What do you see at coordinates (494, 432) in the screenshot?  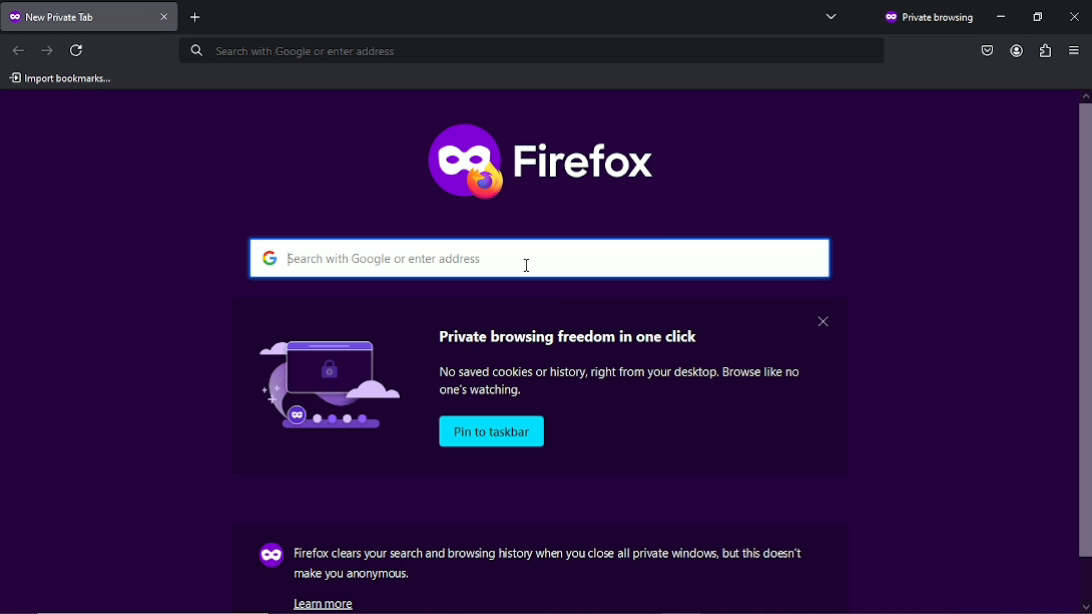 I see `pin to taskbar` at bounding box center [494, 432].